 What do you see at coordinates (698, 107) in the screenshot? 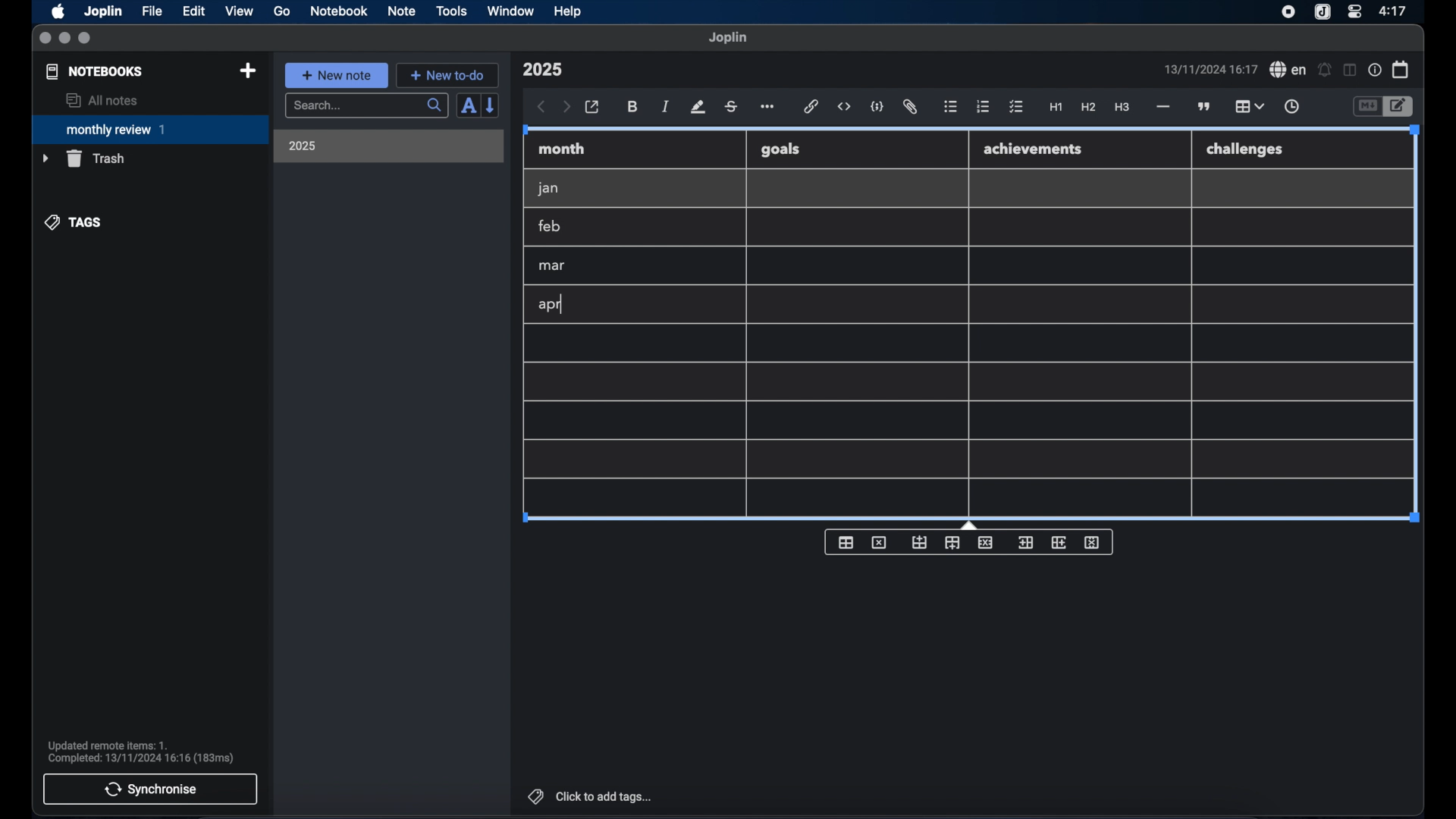
I see `highlight` at bounding box center [698, 107].